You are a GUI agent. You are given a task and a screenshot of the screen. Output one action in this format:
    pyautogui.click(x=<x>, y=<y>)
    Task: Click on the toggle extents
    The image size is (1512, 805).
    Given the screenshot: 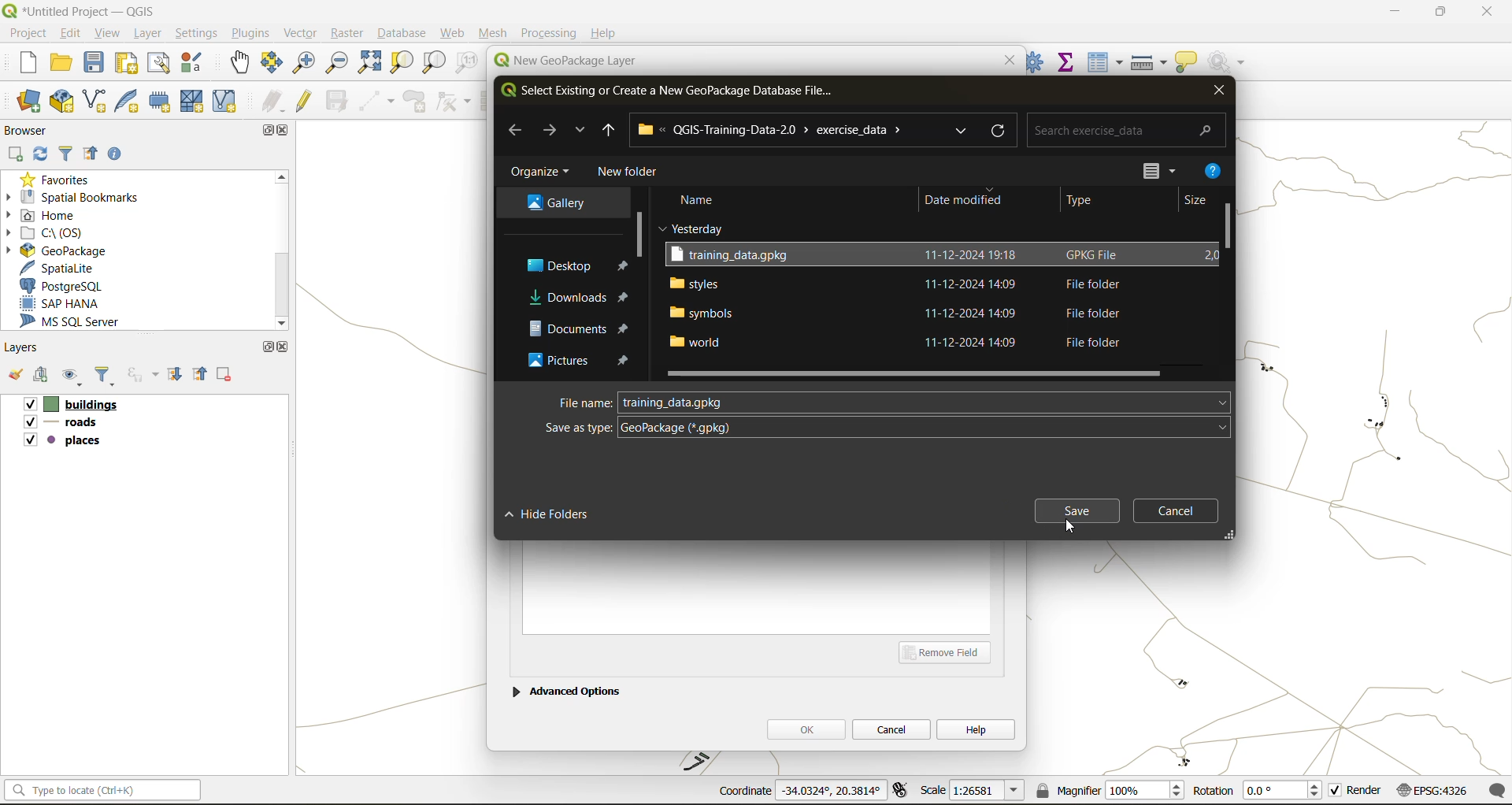 What is the action you would take?
    pyautogui.click(x=902, y=792)
    